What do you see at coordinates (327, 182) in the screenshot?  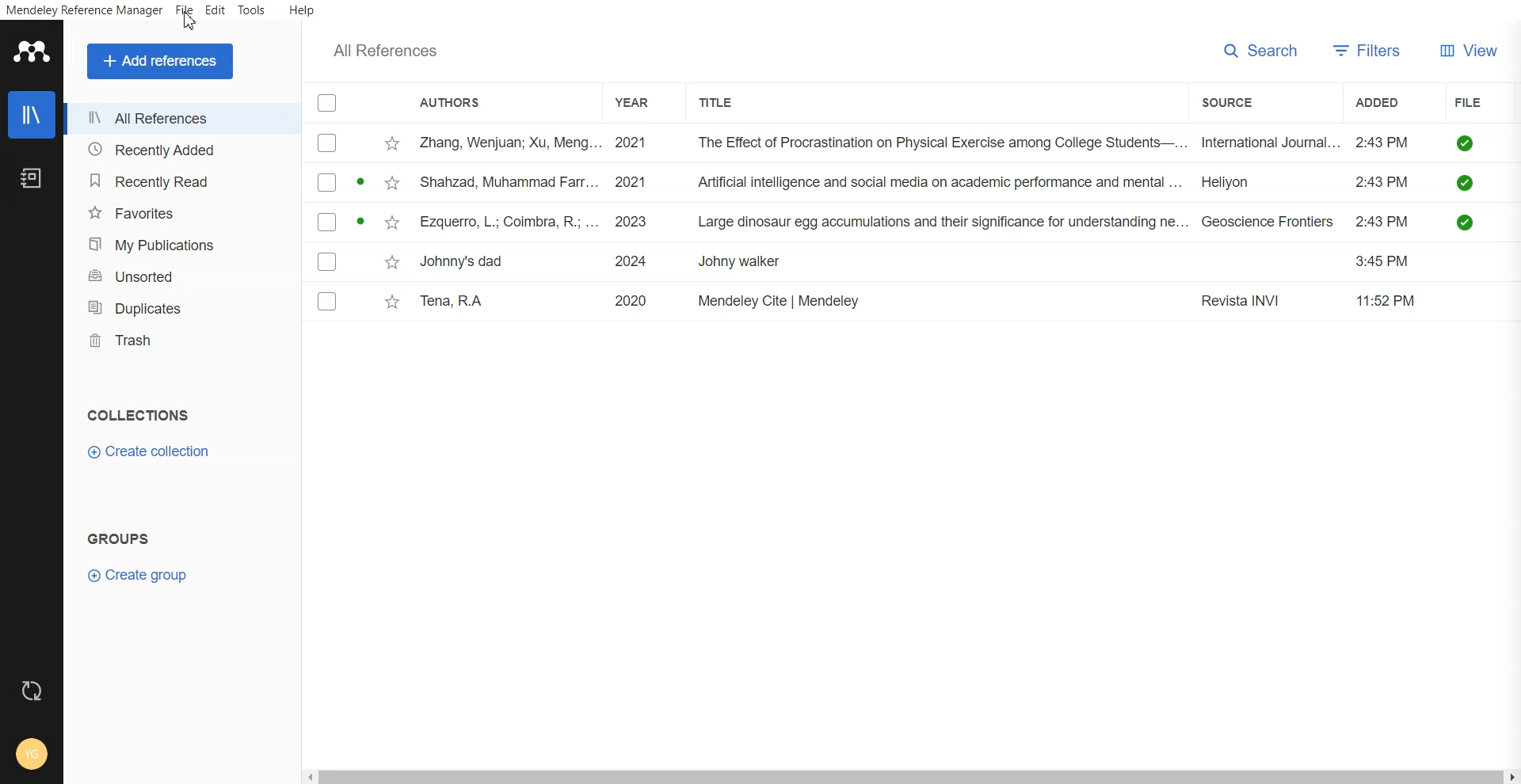 I see `checkbox` at bounding box center [327, 182].